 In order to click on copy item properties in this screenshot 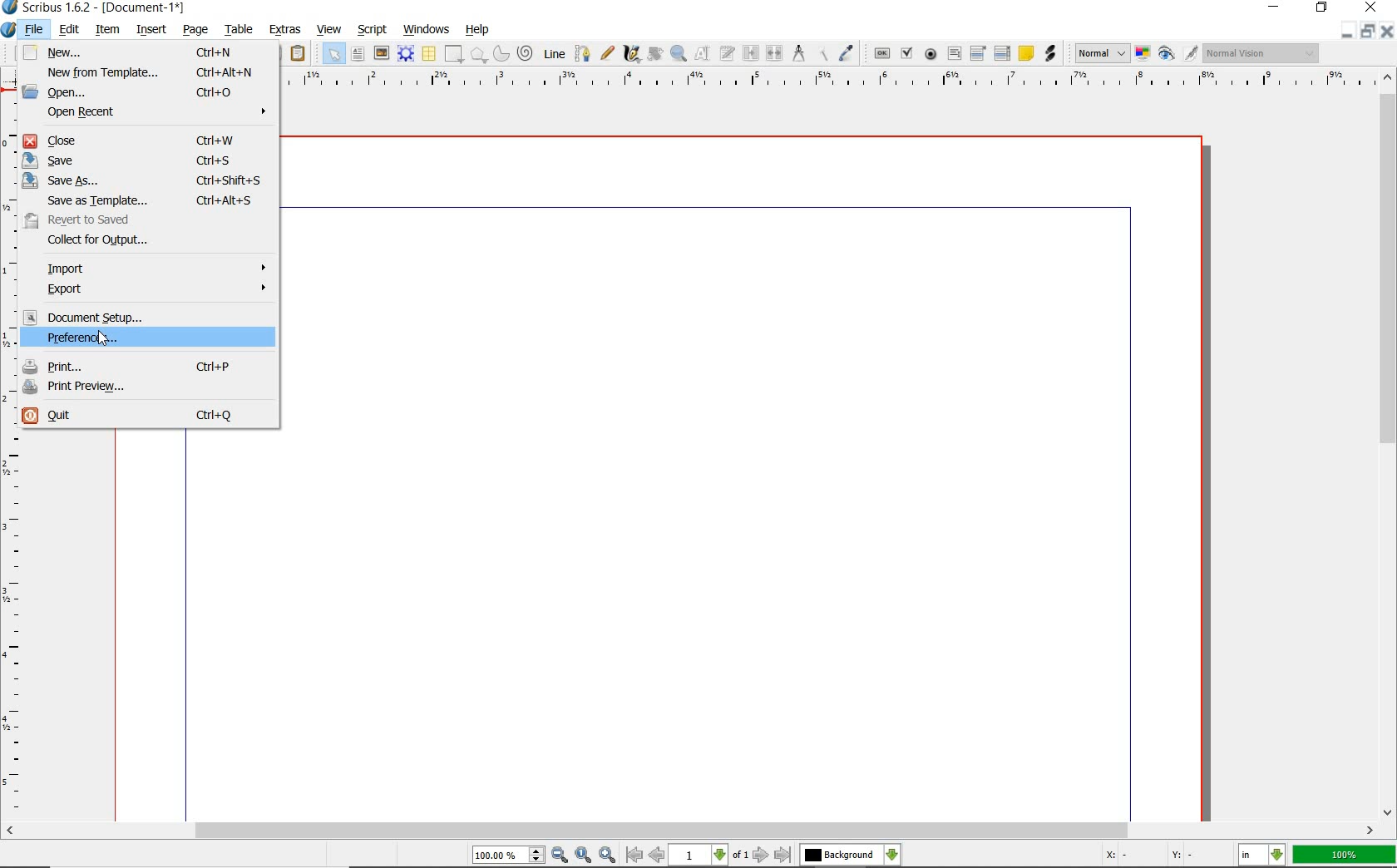, I will do `click(824, 52)`.